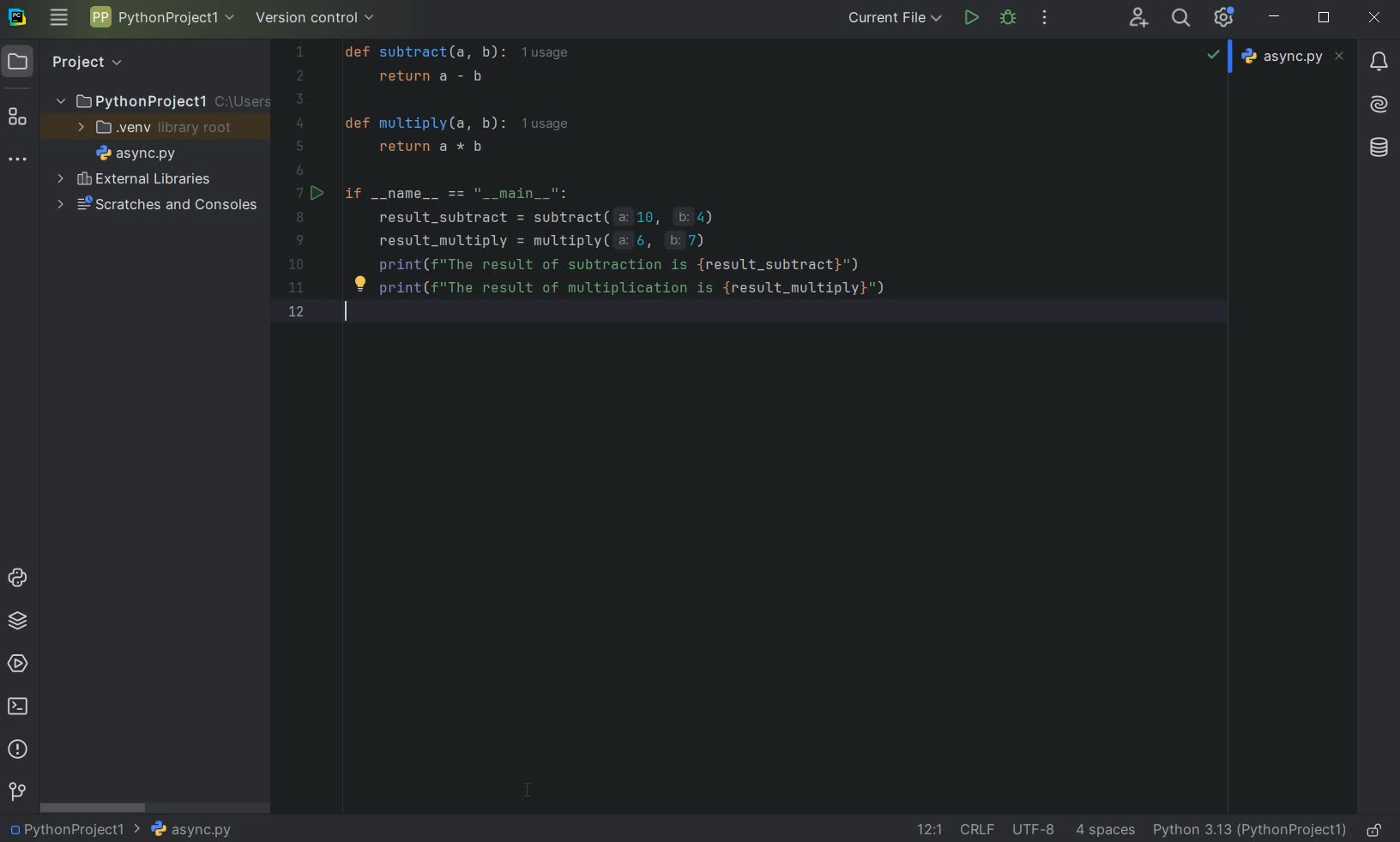 Image resolution: width=1400 pixels, height=842 pixels. What do you see at coordinates (18, 118) in the screenshot?
I see `structure` at bounding box center [18, 118].